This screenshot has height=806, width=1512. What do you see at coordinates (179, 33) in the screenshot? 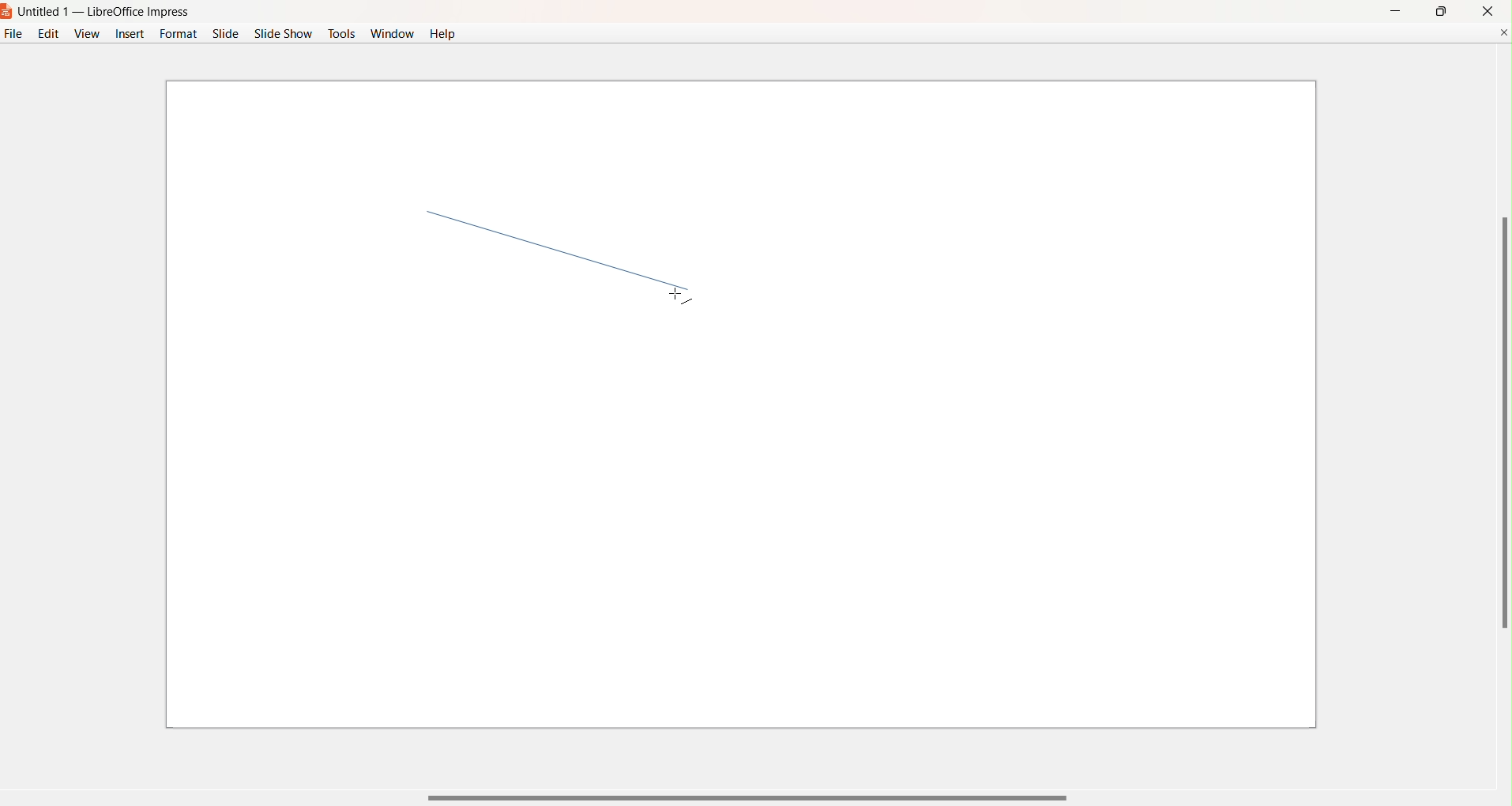
I see `Format` at bounding box center [179, 33].